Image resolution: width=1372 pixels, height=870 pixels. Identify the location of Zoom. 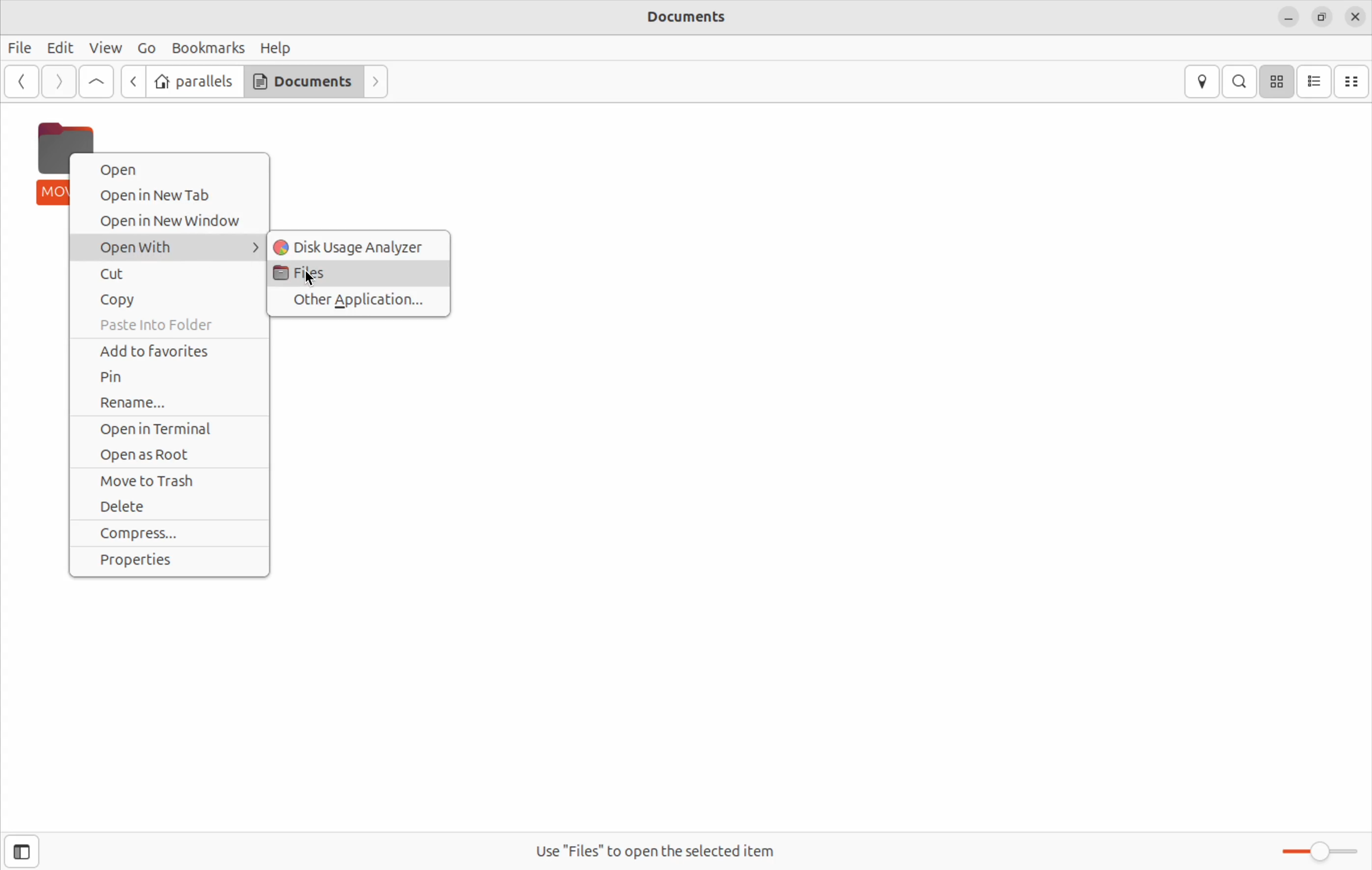
(1316, 853).